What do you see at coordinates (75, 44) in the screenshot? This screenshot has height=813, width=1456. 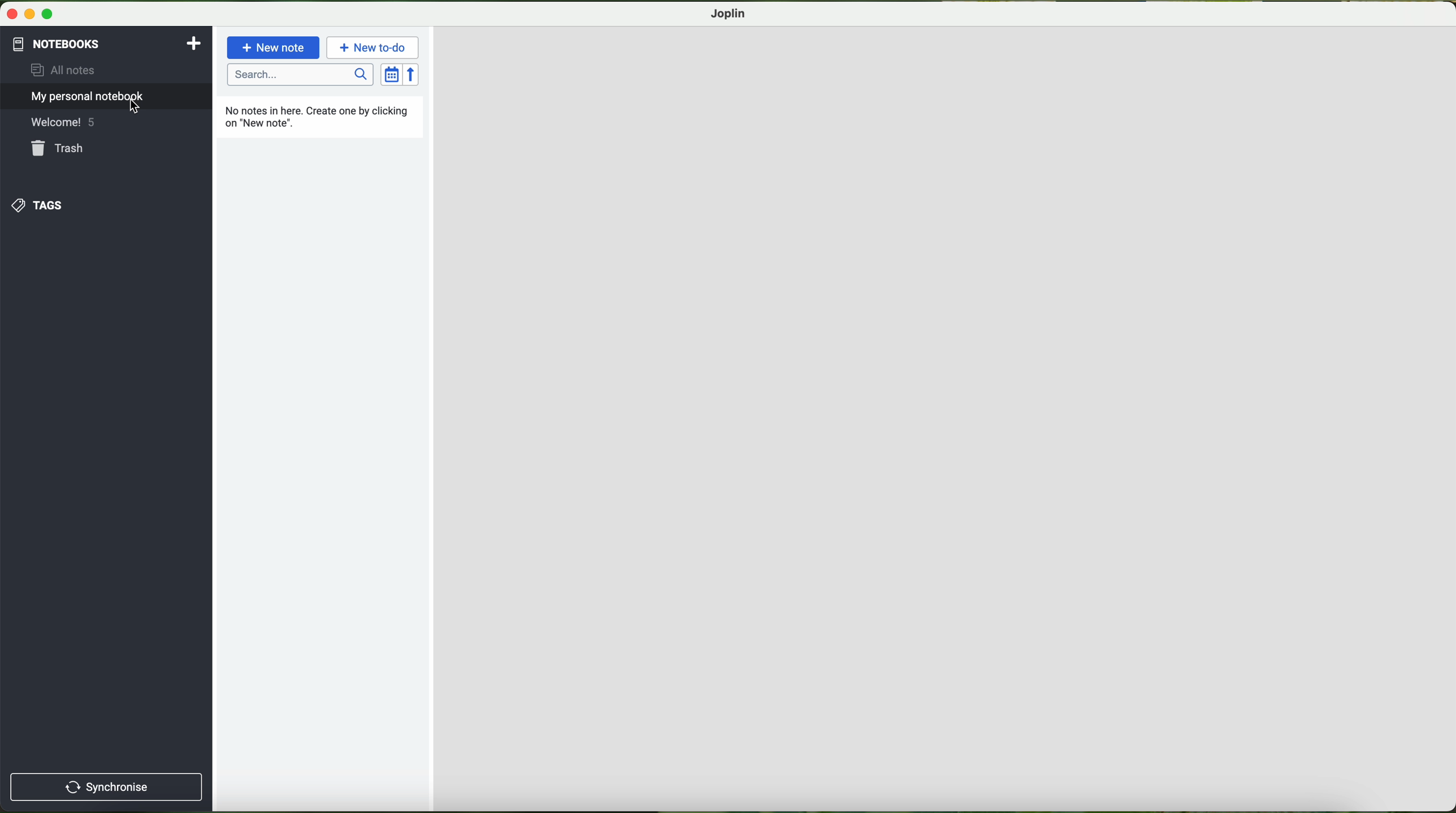 I see `pointer on the notebooks button` at bounding box center [75, 44].